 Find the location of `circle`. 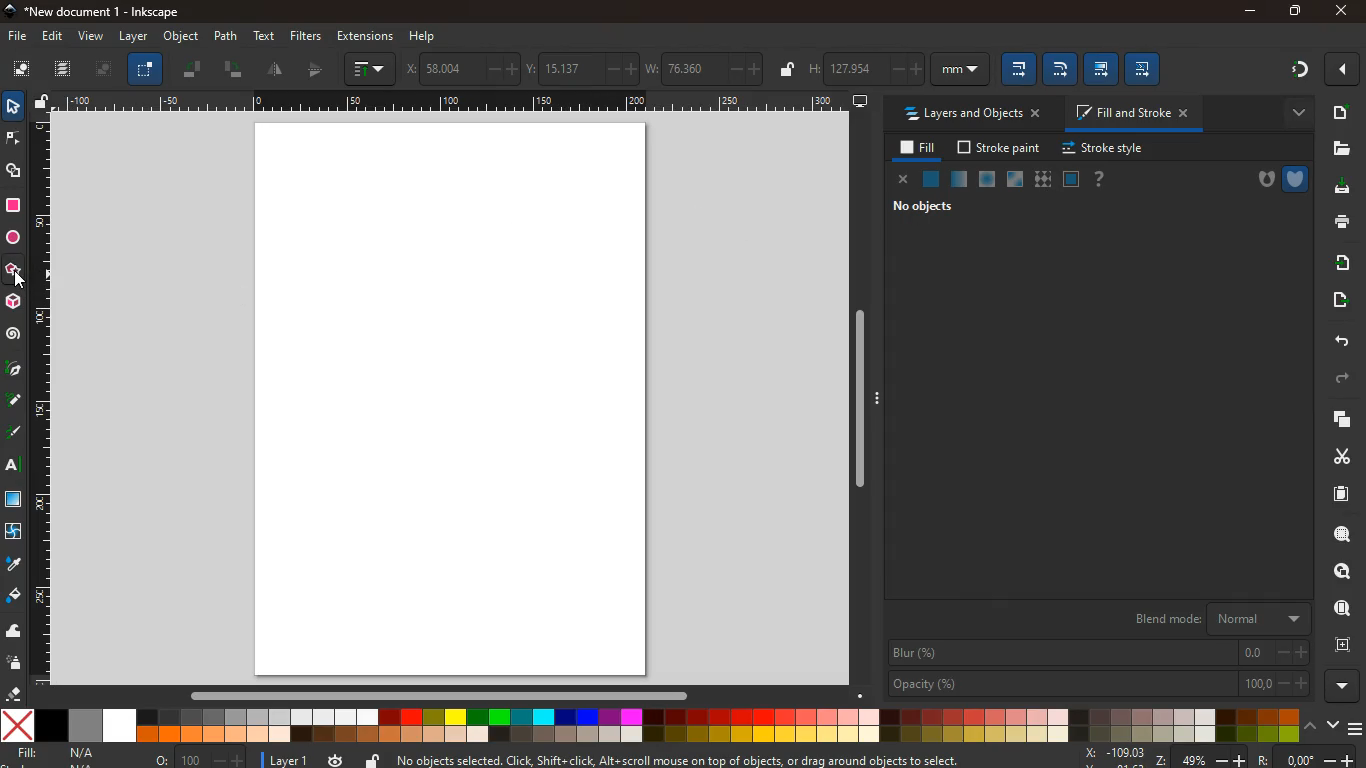

circle is located at coordinates (15, 238).